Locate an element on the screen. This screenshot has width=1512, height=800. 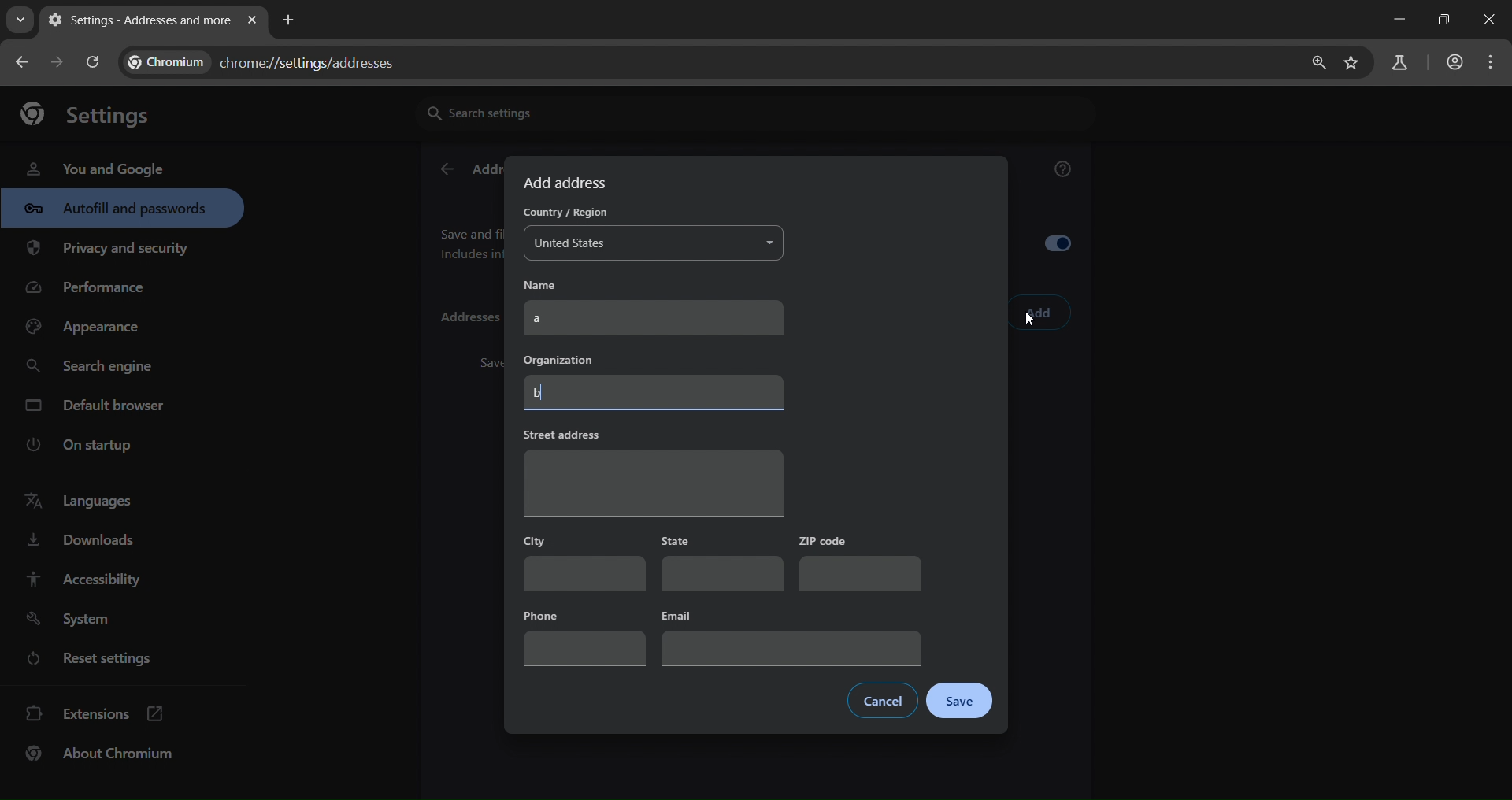
state is located at coordinates (723, 564).